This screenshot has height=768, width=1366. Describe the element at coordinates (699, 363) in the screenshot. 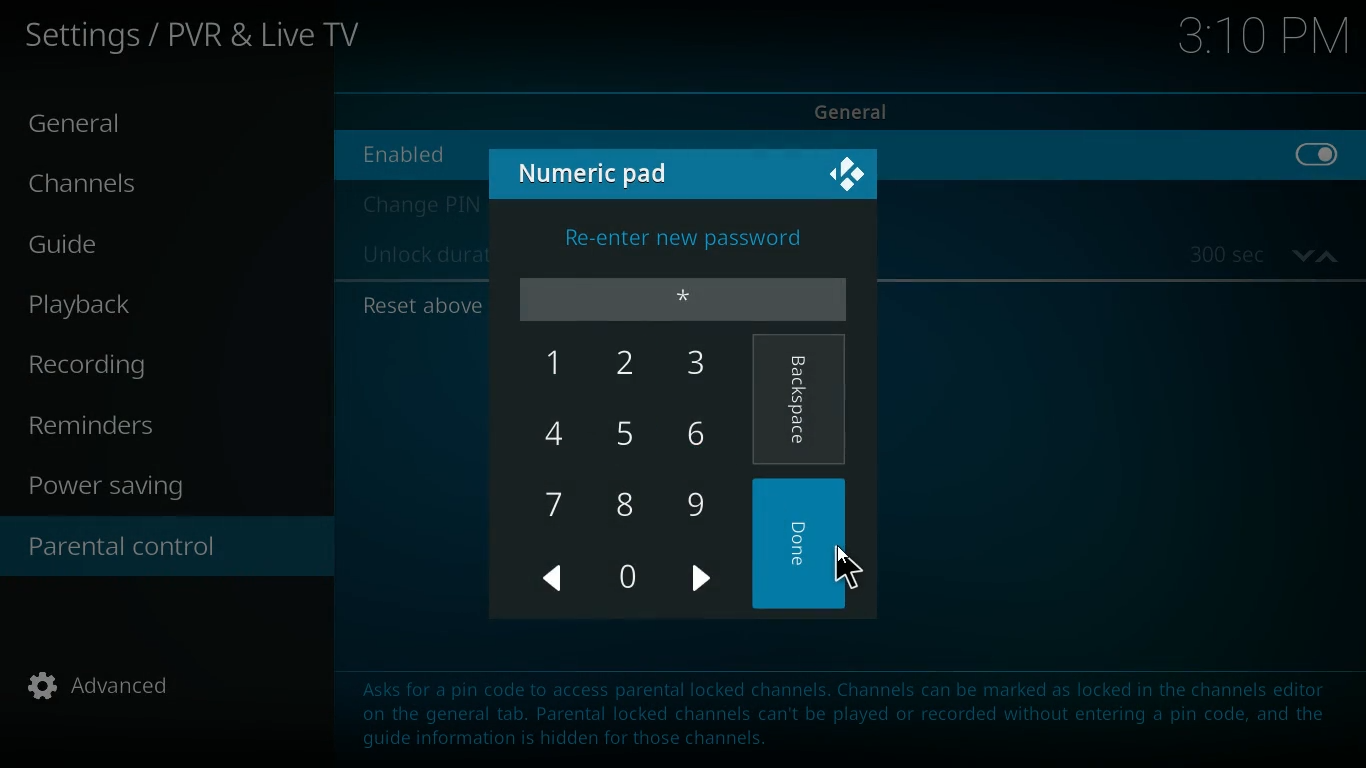

I see `3` at that location.